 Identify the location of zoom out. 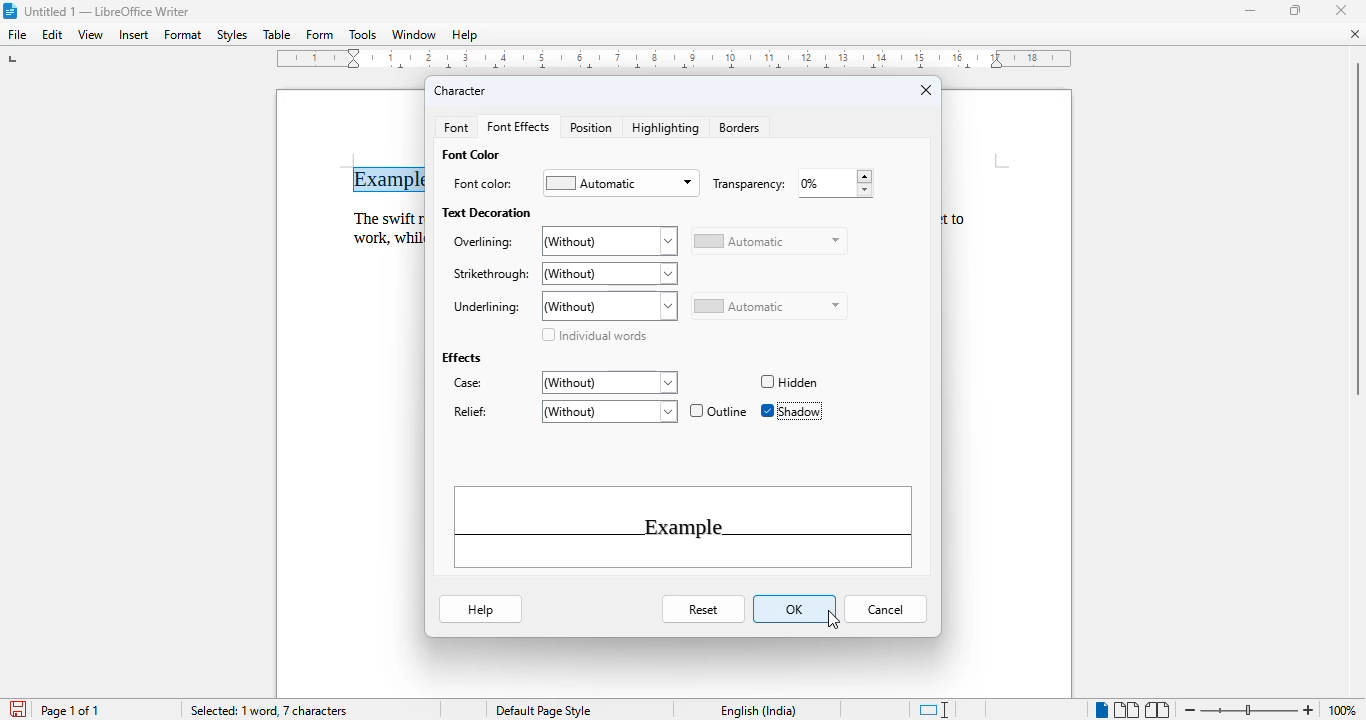
(1190, 710).